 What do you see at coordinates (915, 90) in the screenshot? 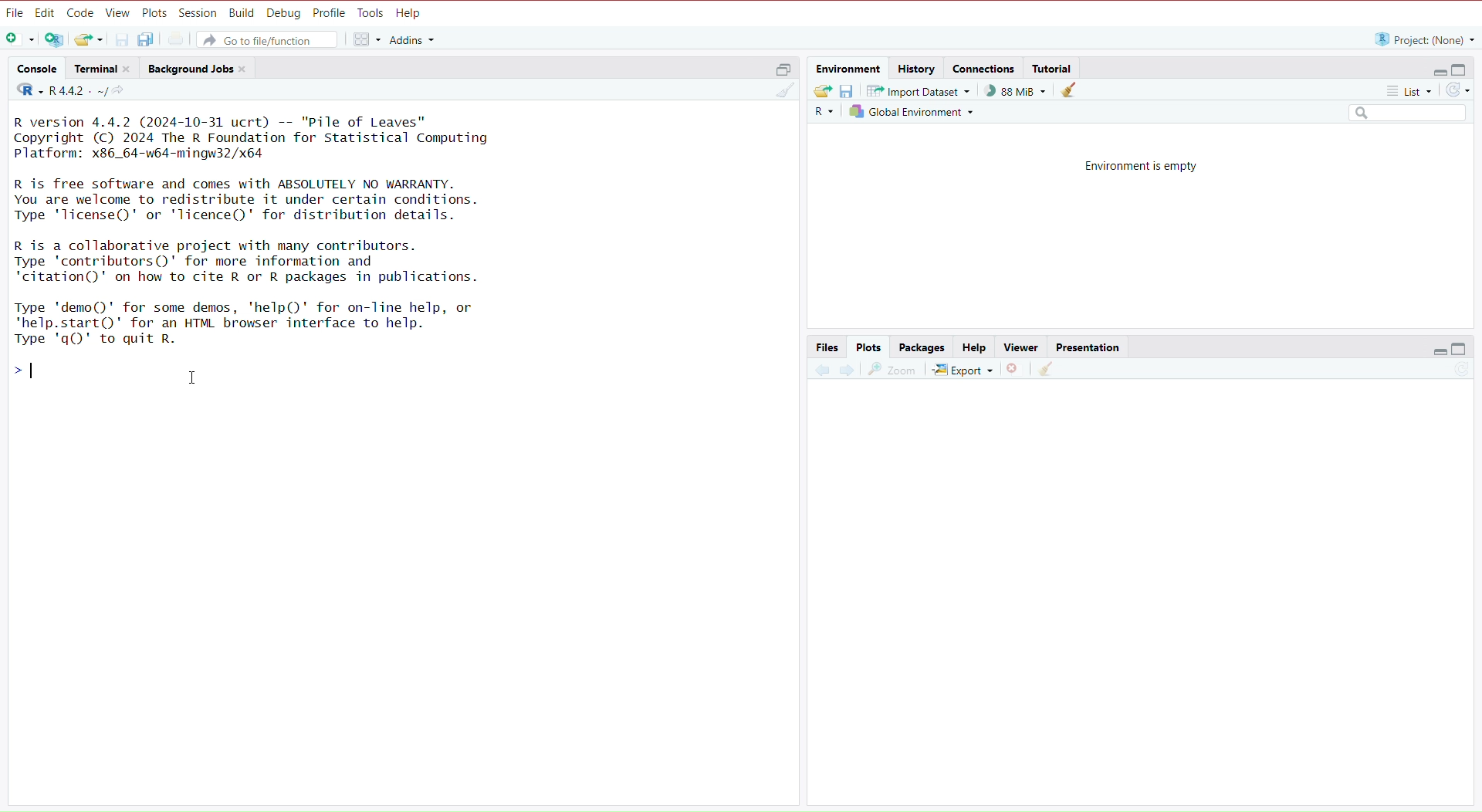
I see `Import Dataset` at bounding box center [915, 90].